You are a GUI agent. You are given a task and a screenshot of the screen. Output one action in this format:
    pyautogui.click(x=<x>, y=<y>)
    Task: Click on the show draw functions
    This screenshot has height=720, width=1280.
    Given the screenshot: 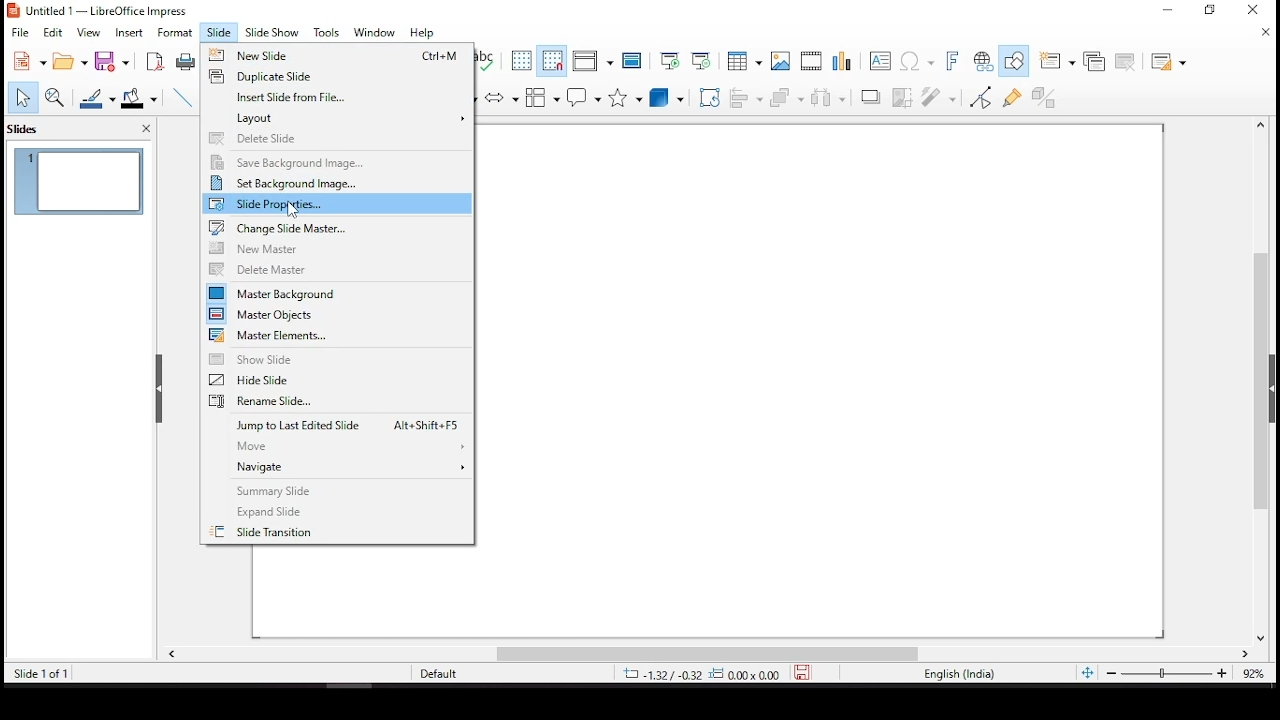 What is the action you would take?
    pyautogui.click(x=1015, y=59)
    